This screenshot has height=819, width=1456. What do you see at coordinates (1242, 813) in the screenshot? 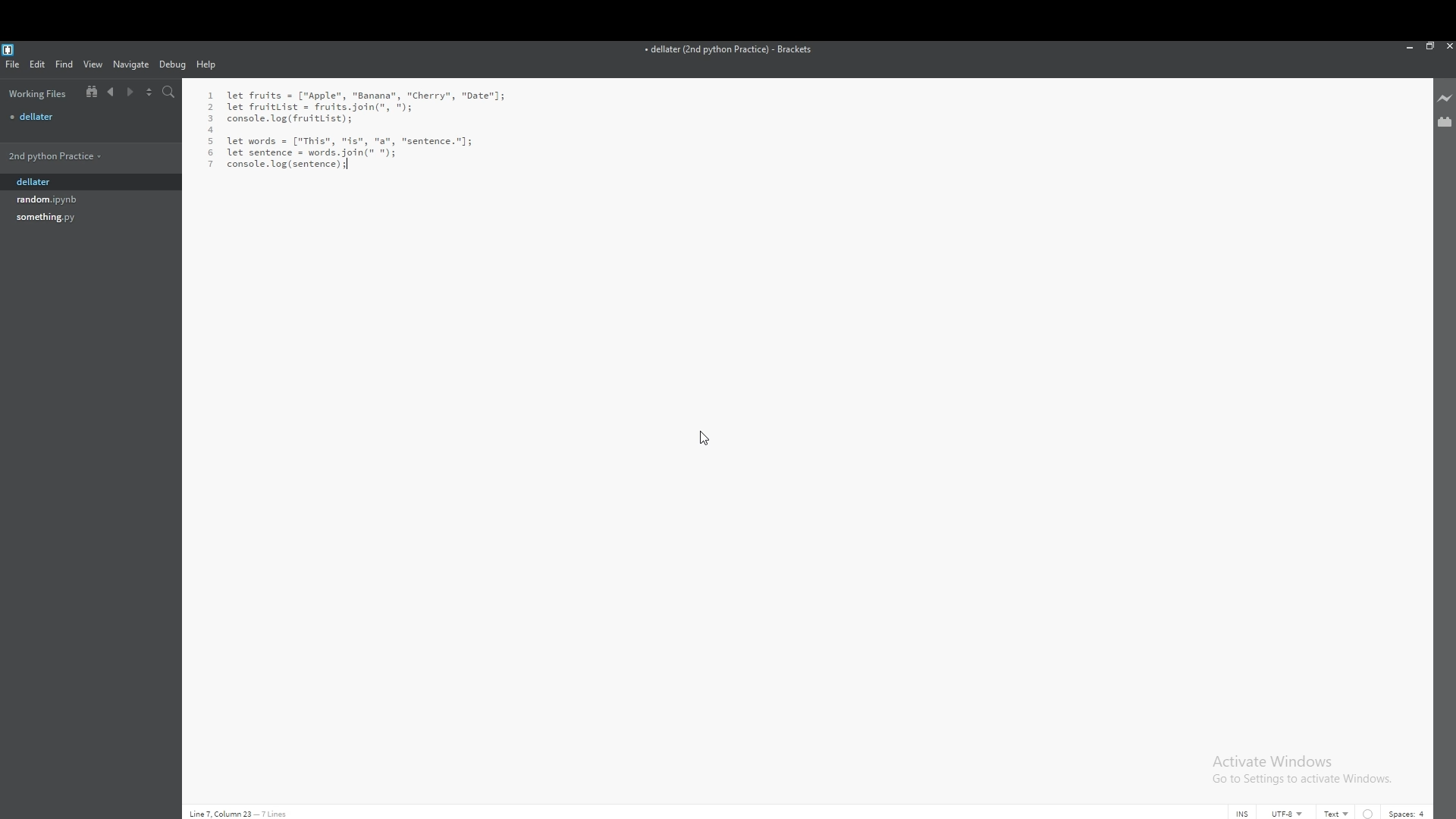
I see `cursor mode` at bounding box center [1242, 813].